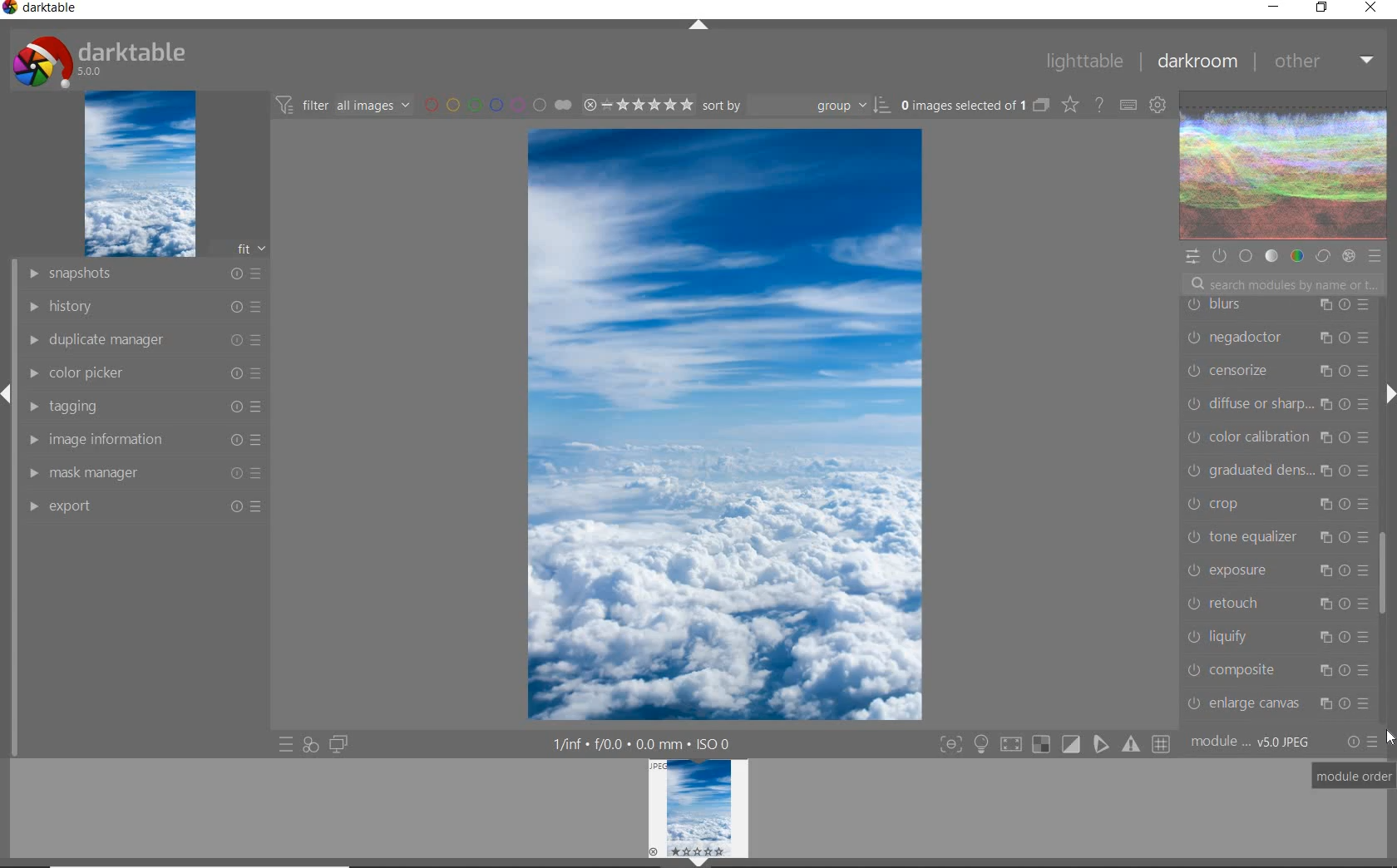 The height and width of the screenshot is (868, 1397). What do you see at coordinates (338, 745) in the screenshot?
I see `DISPLAY A SECOND DARKROOM DISPLAY` at bounding box center [338, 745].